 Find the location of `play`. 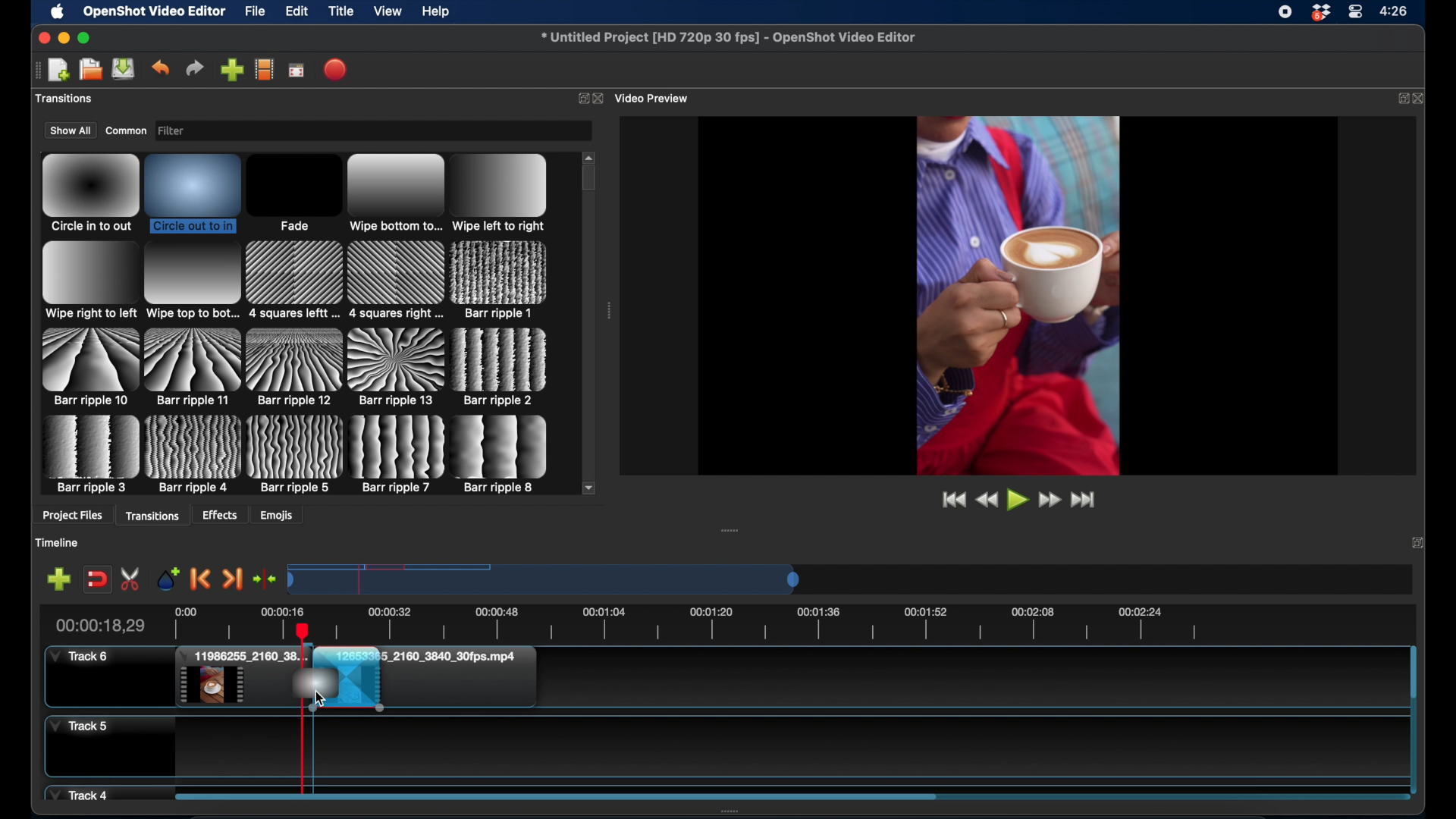

play is located at coordinates (1017, 501).